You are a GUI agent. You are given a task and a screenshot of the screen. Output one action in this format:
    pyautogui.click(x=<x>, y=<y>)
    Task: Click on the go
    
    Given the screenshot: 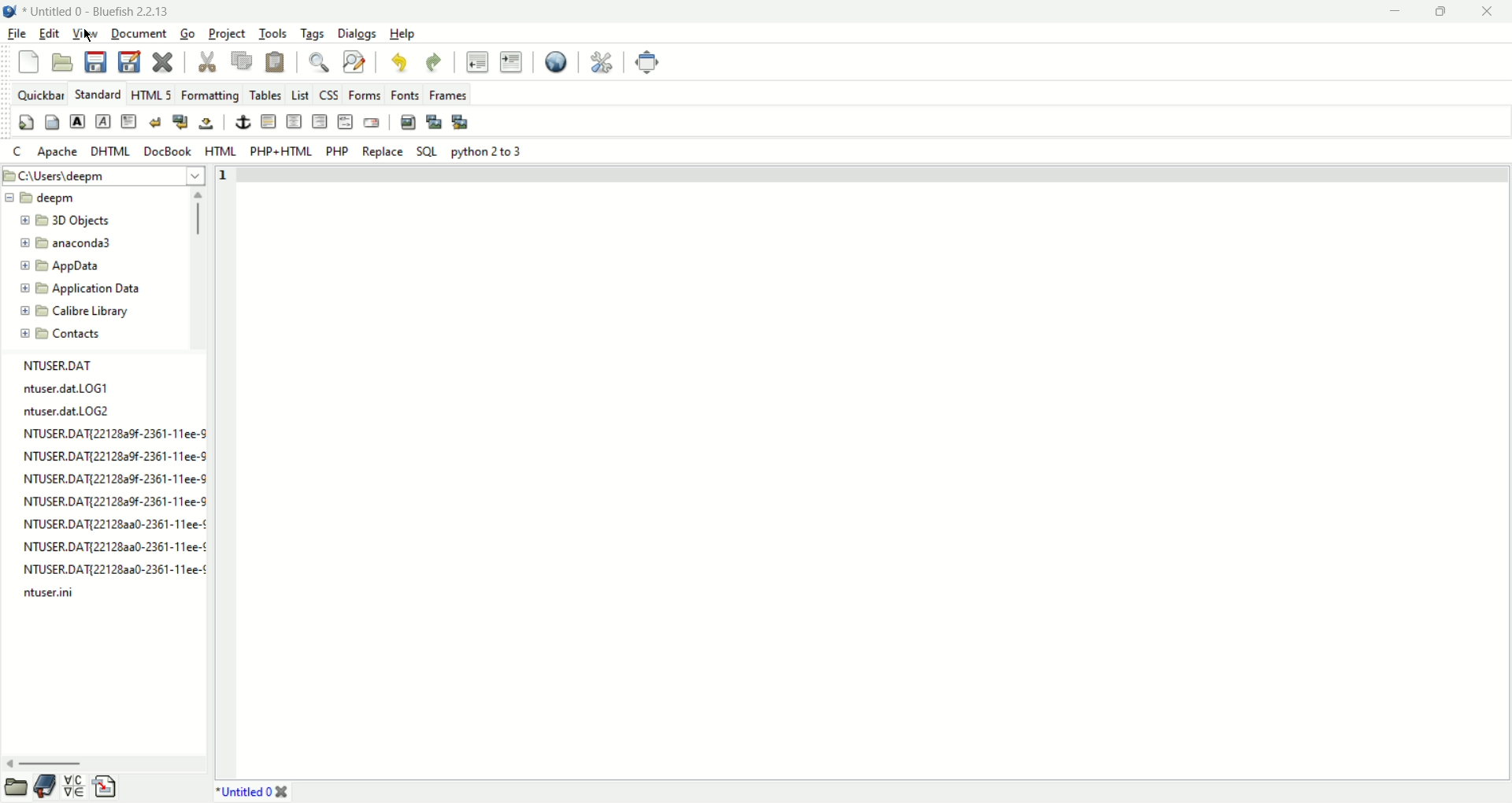 What is the action you would take?
    pyautogui.click(x=189, y=34)
    